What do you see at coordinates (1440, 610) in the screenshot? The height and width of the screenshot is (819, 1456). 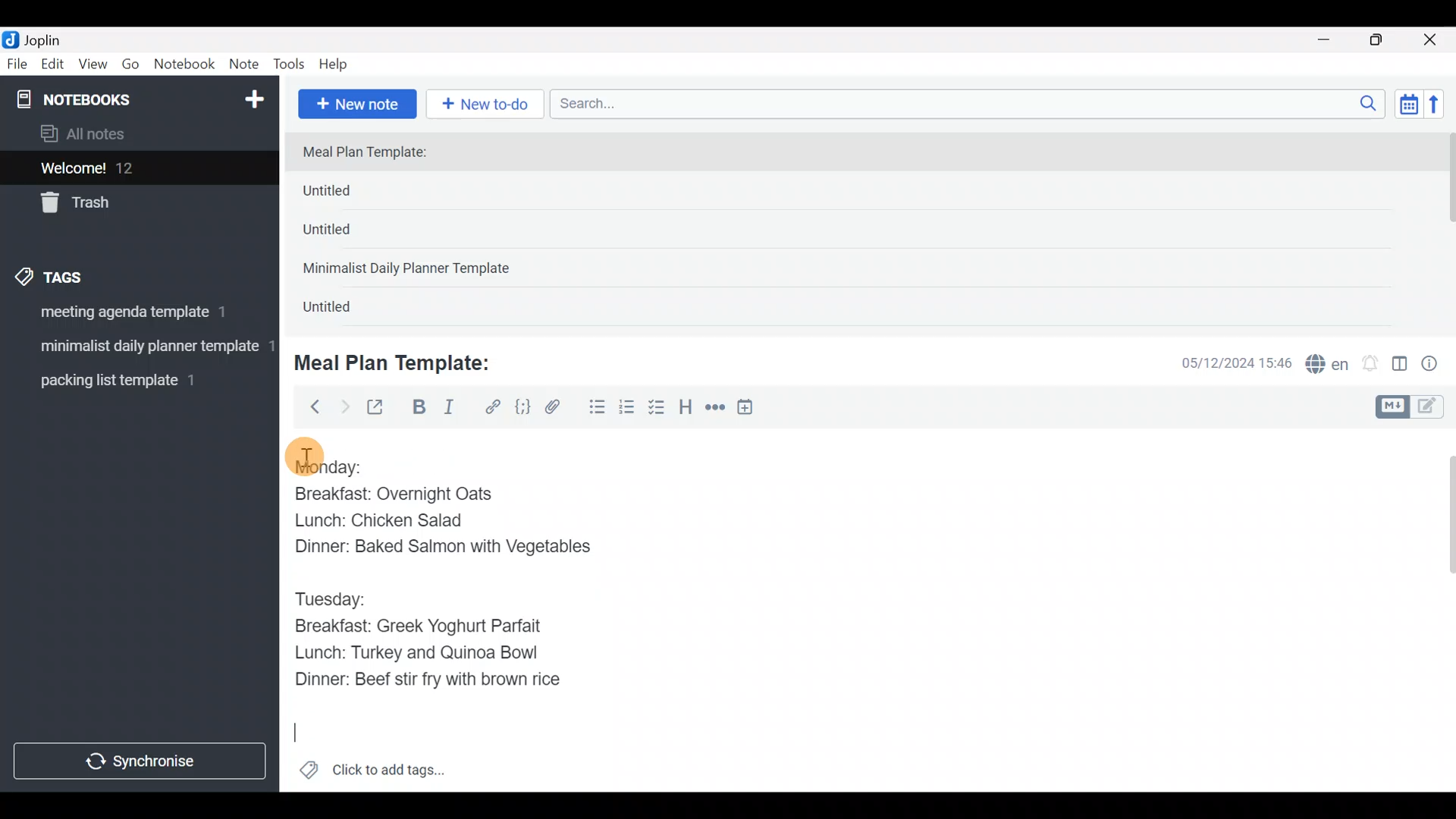 I see `Scroll bar` at bounding box center [1440, 610].